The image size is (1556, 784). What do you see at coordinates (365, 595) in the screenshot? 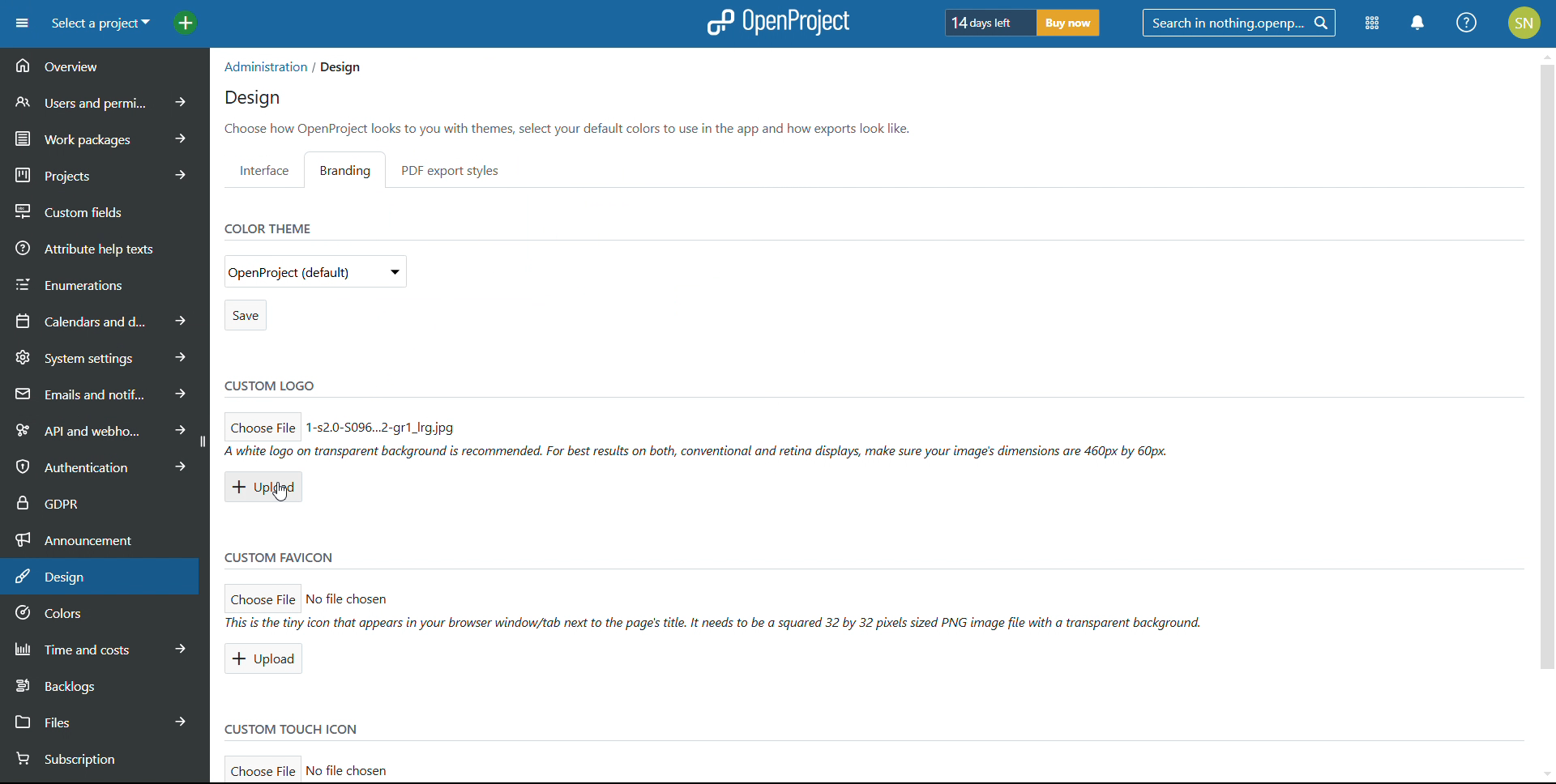
I see `> No file chosen` at bounding box center [365, 595].